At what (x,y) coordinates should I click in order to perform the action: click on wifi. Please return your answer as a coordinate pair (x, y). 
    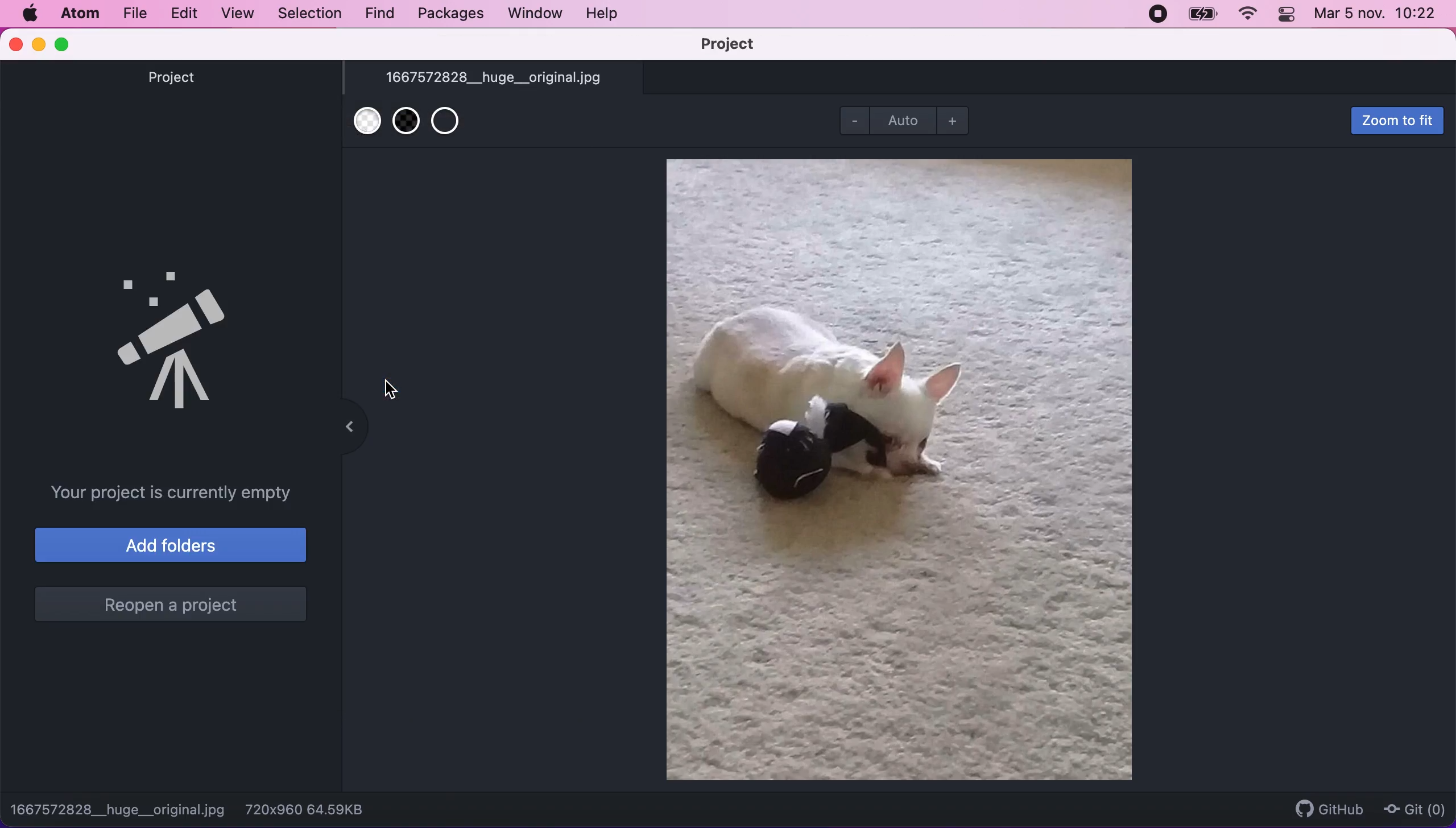
    Looking at the image, I should click on (1248, 15).